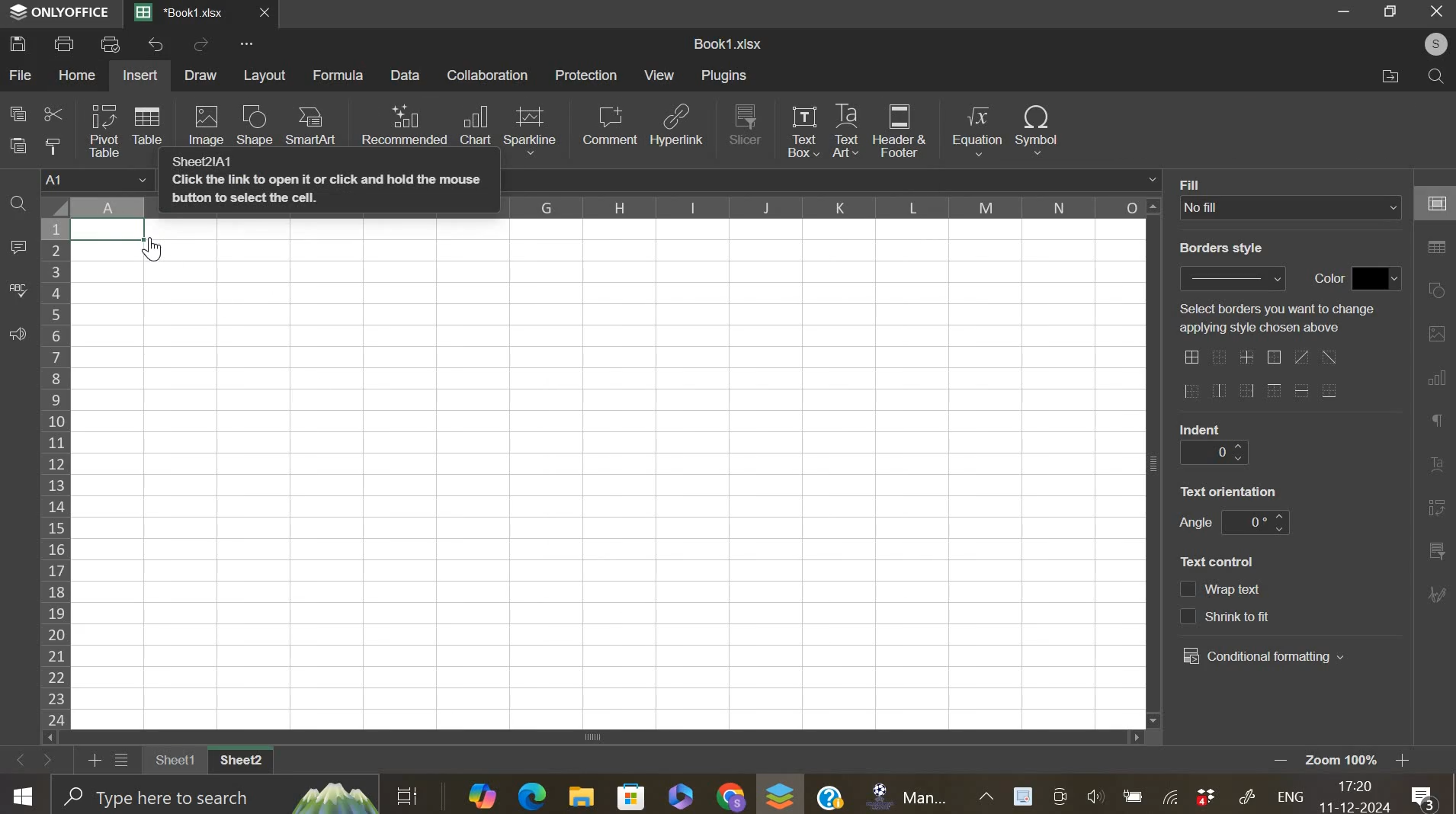  I want to click on text box, so click(802, 130).